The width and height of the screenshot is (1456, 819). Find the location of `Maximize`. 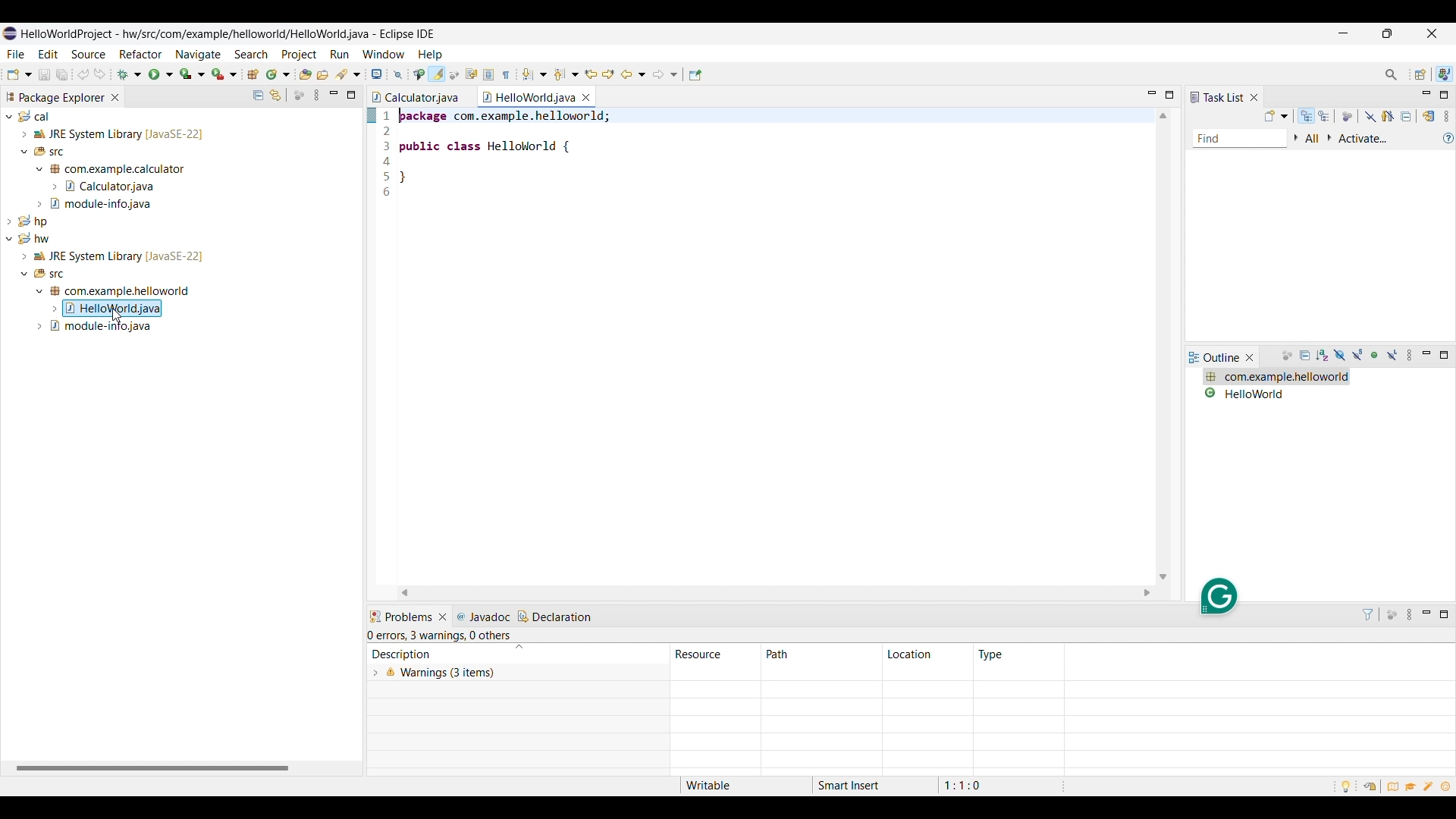

Maximize is located at coordinates (1443, 95).